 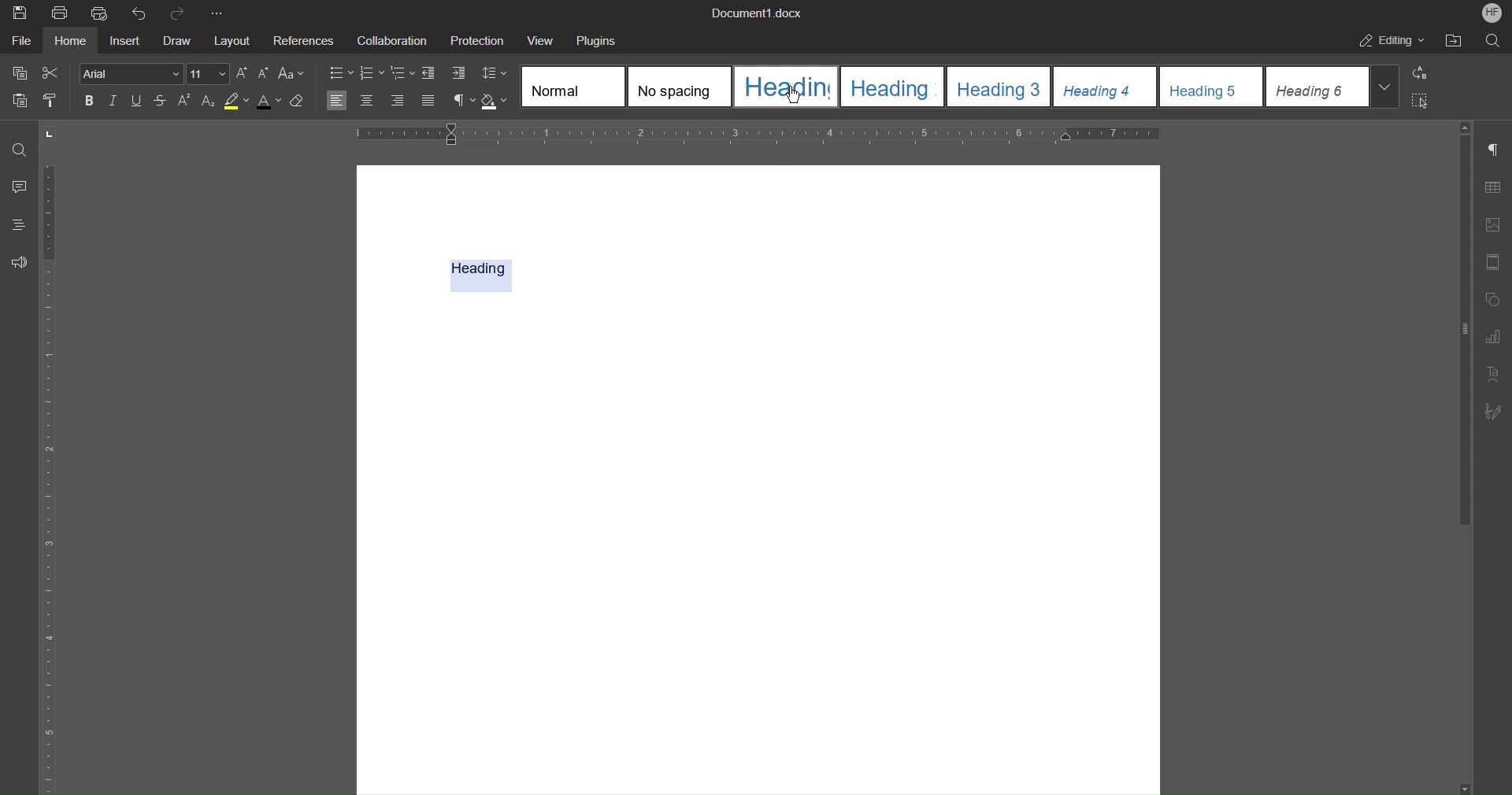 What do you see at coordinates (897, 86) in the screenshot?
I see `Heading 2` at bounding box center [897, 86].